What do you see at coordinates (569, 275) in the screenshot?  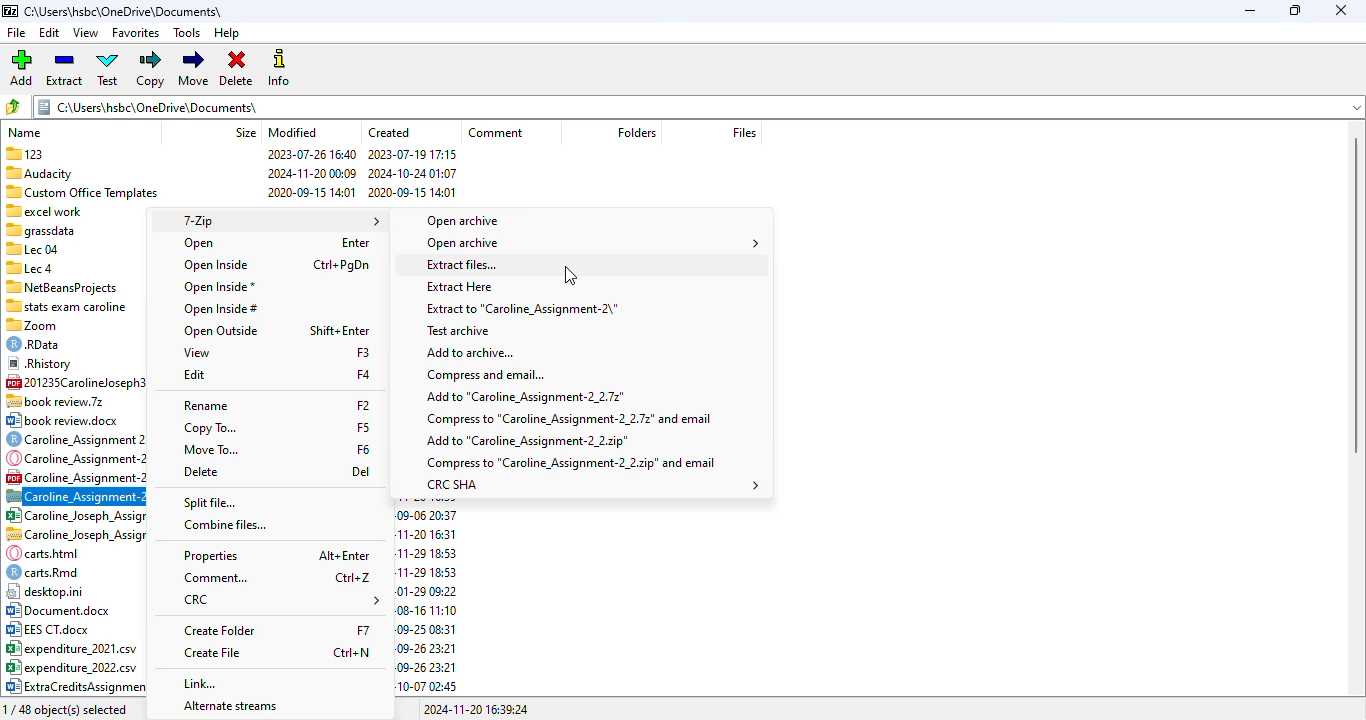 I see `cursor` at bounding box center [569, 275].